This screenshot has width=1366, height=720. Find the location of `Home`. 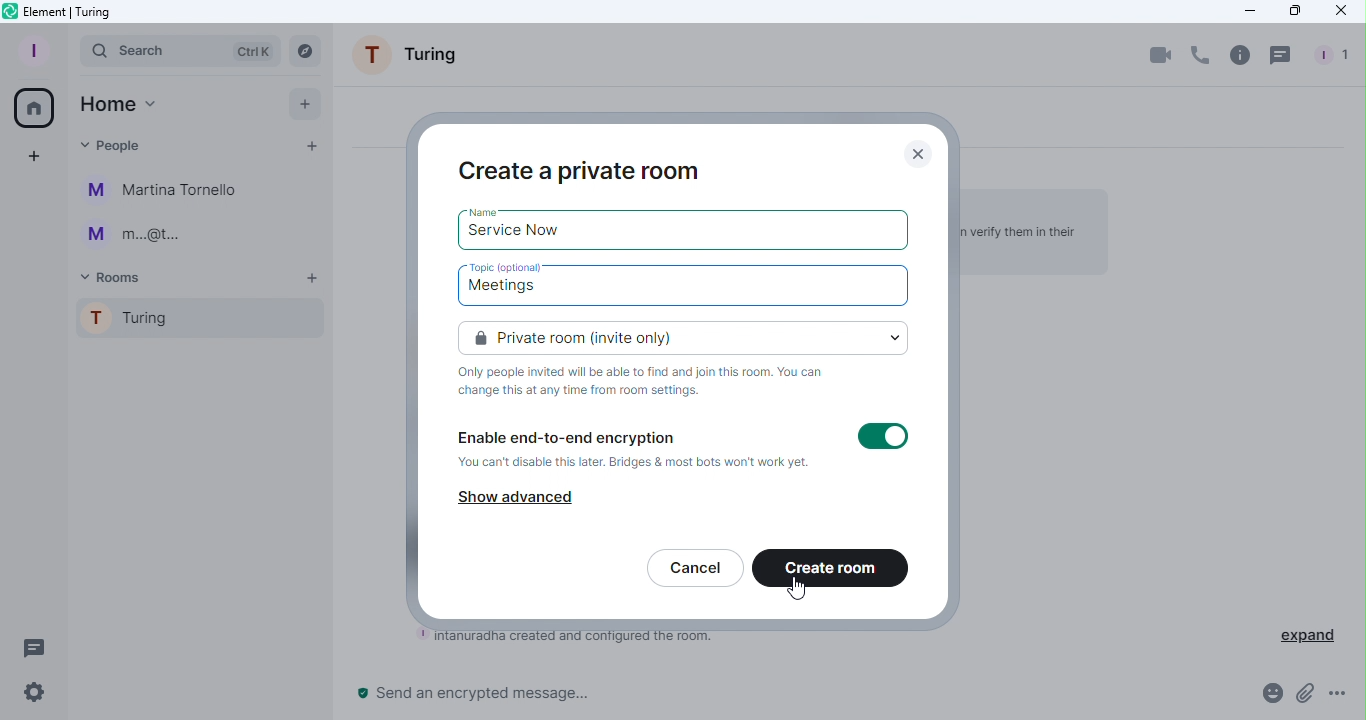

Home is located at coordinates (31, 105).